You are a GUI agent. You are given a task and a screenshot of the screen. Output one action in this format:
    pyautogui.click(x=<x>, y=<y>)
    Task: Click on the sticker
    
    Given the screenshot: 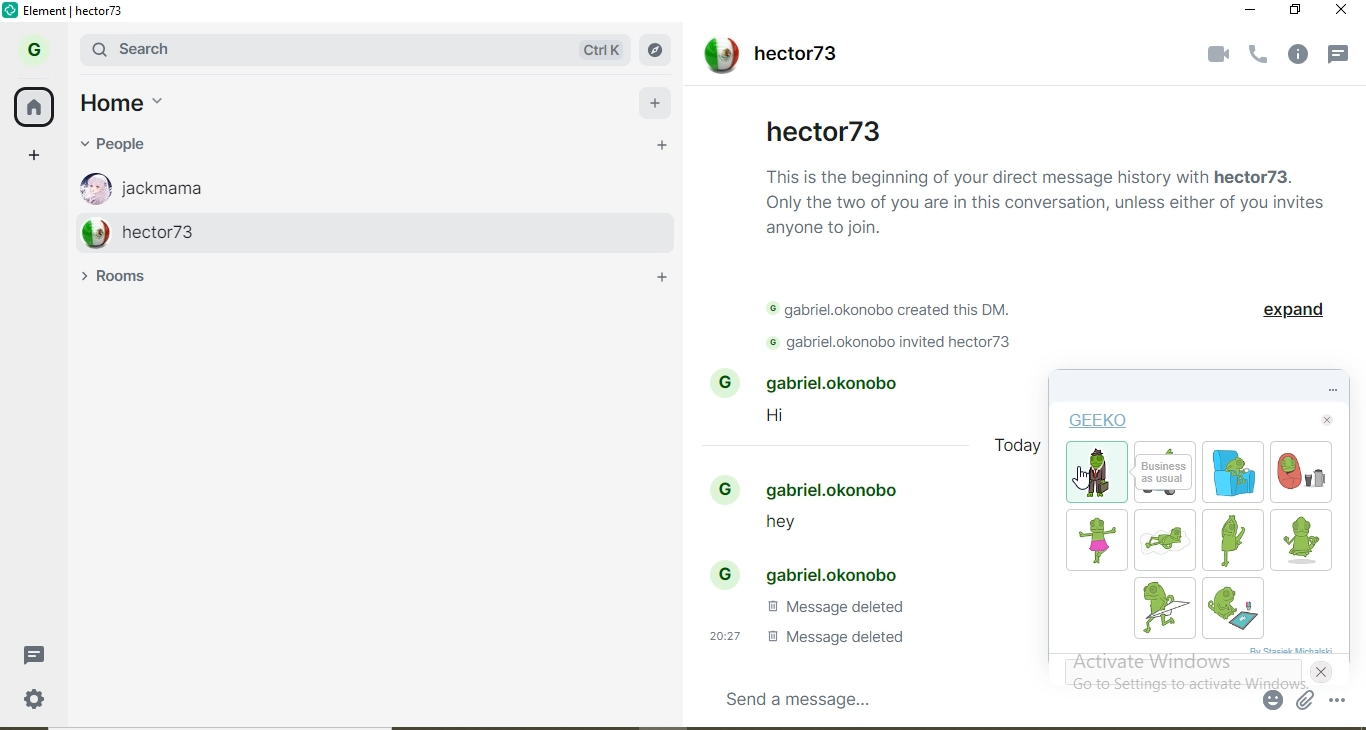 What is the action you would take?
    pyautogui.click(x=1162, y=541)
    